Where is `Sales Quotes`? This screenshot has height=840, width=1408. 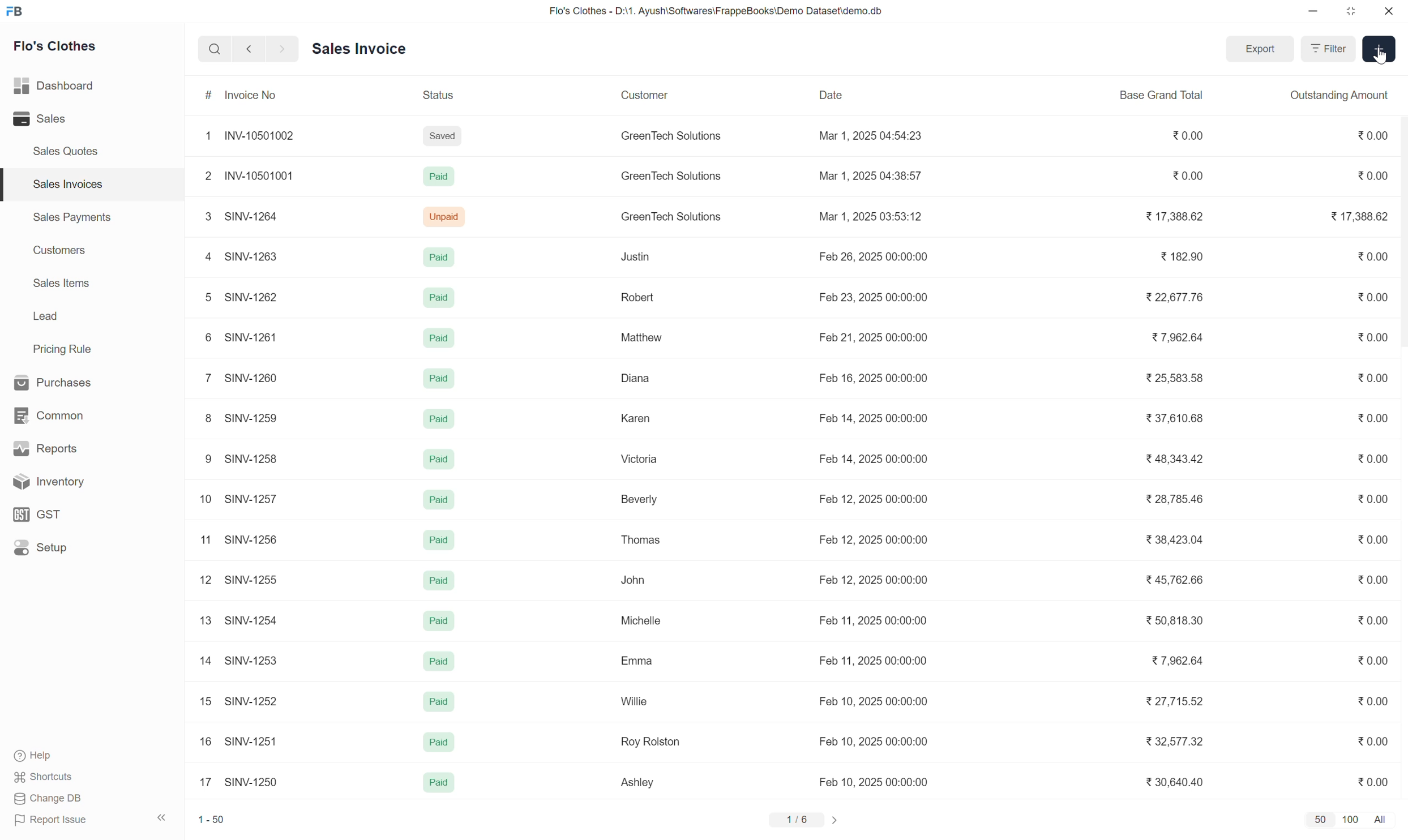
Sales Quotes is located at coordinates (66, 151).